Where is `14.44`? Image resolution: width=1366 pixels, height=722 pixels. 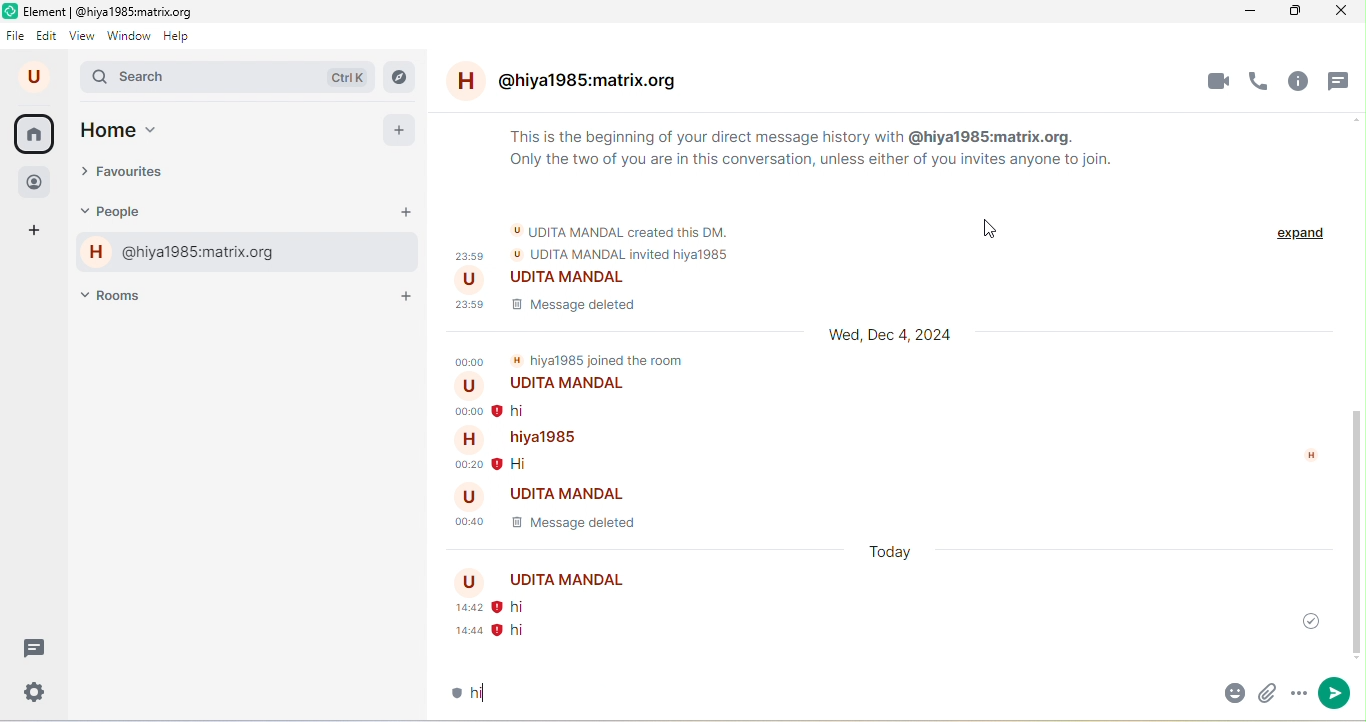 14.44 is located at coordinates (461, 631).